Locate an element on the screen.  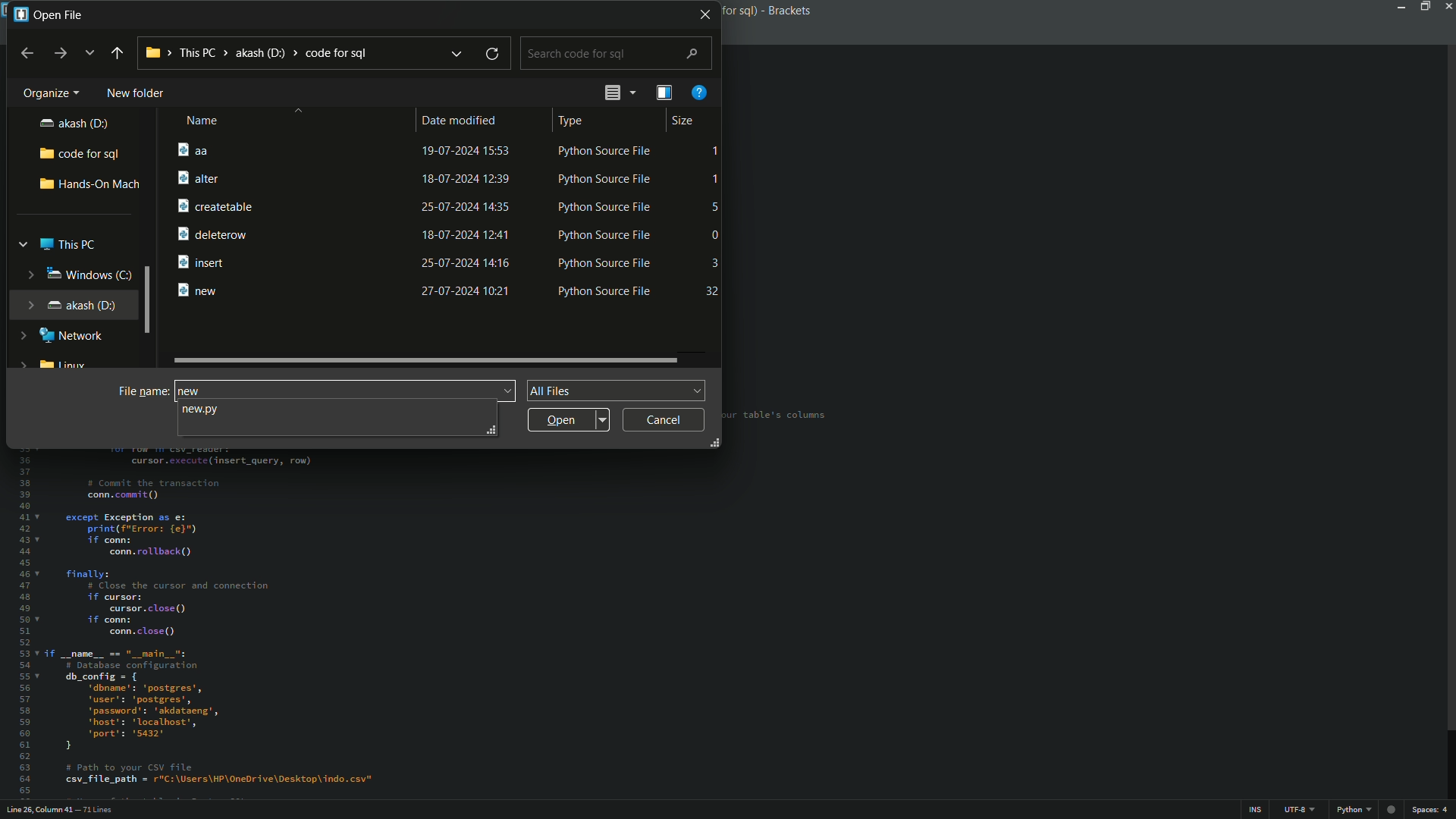
recent location is located at coordinates (88, 52).